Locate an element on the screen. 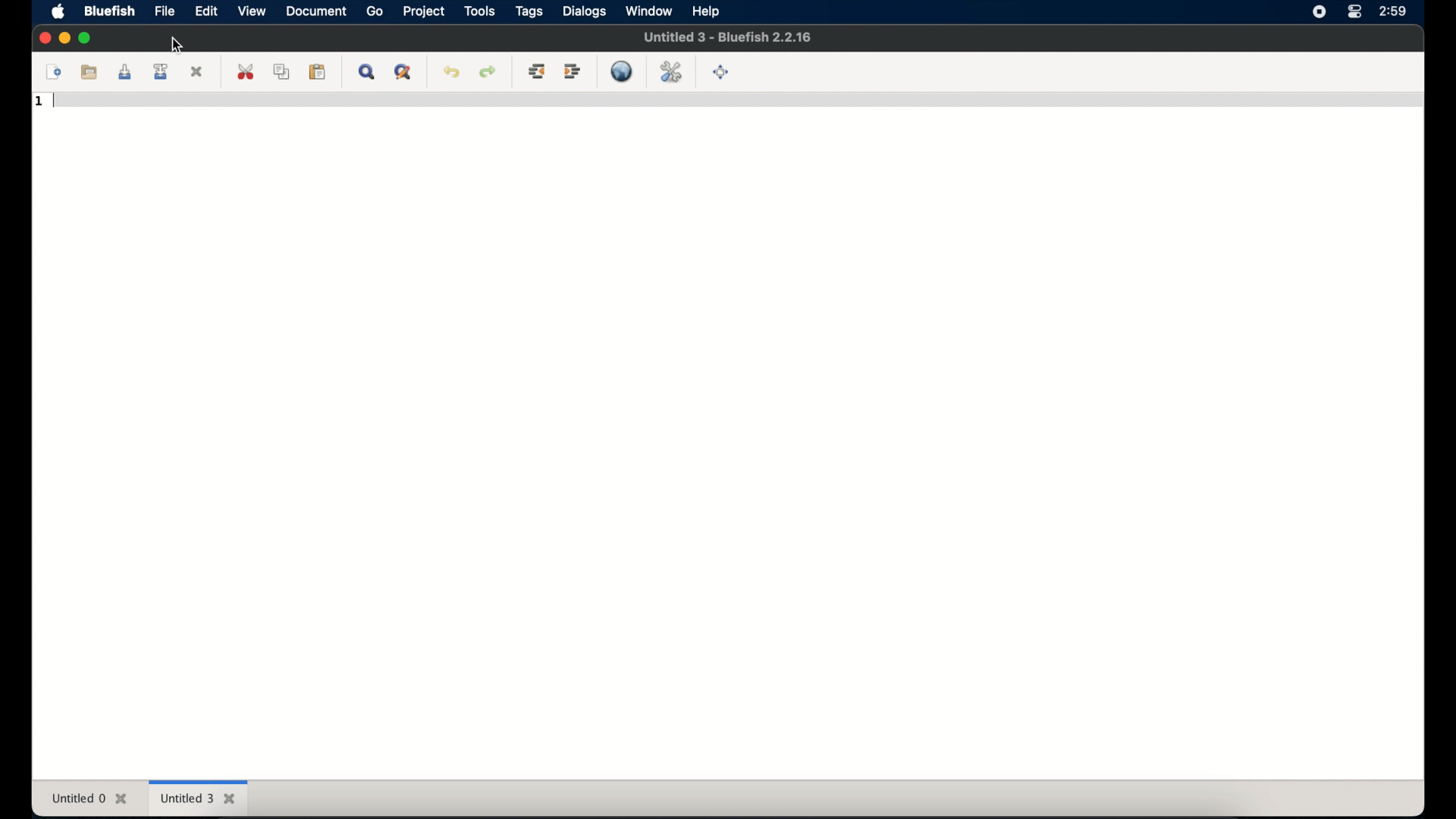 The height and width of the screenshot is (819, 1456). control center is located at coordinates (1354, 12).